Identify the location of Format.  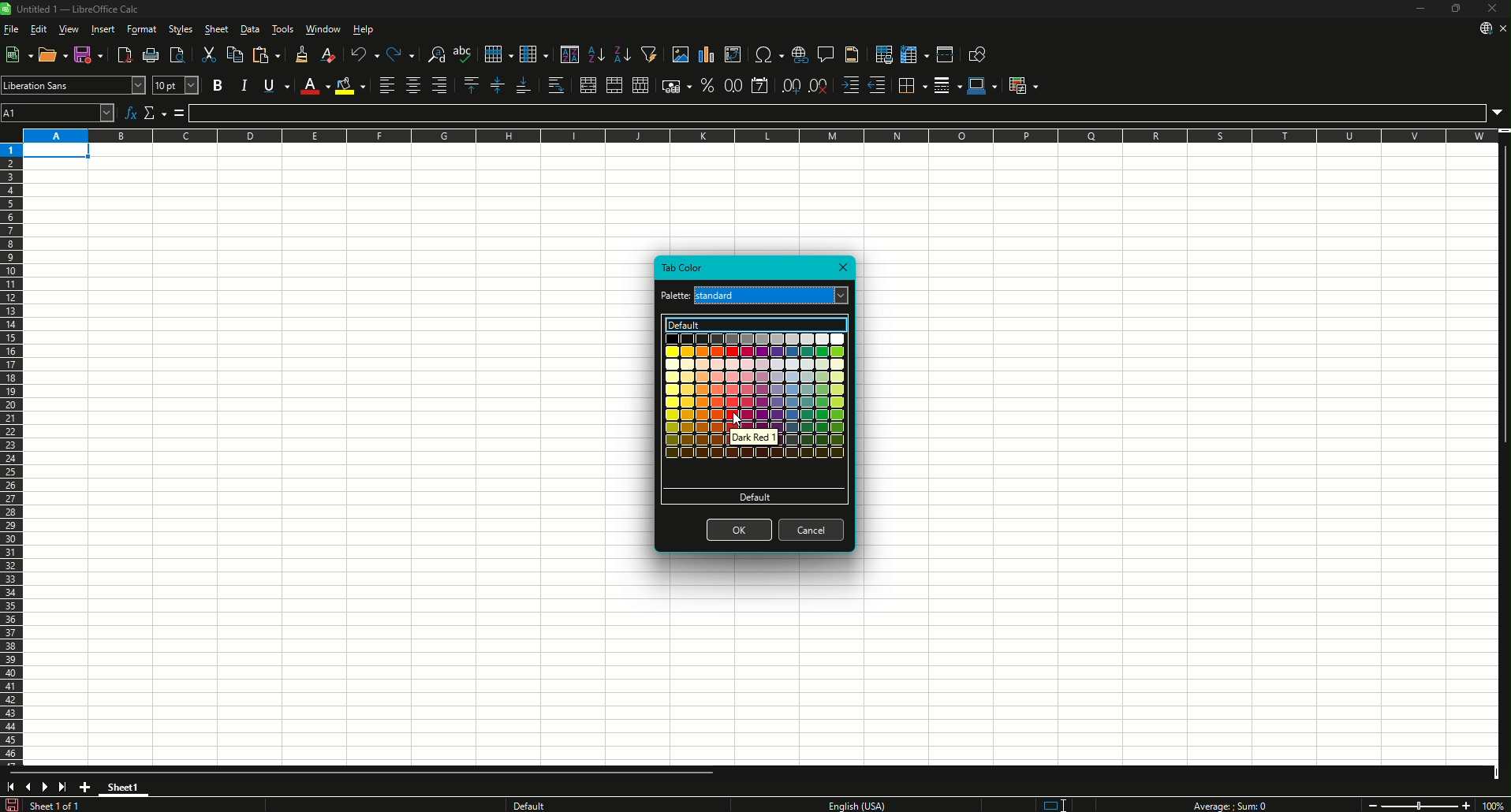
(143, 28).